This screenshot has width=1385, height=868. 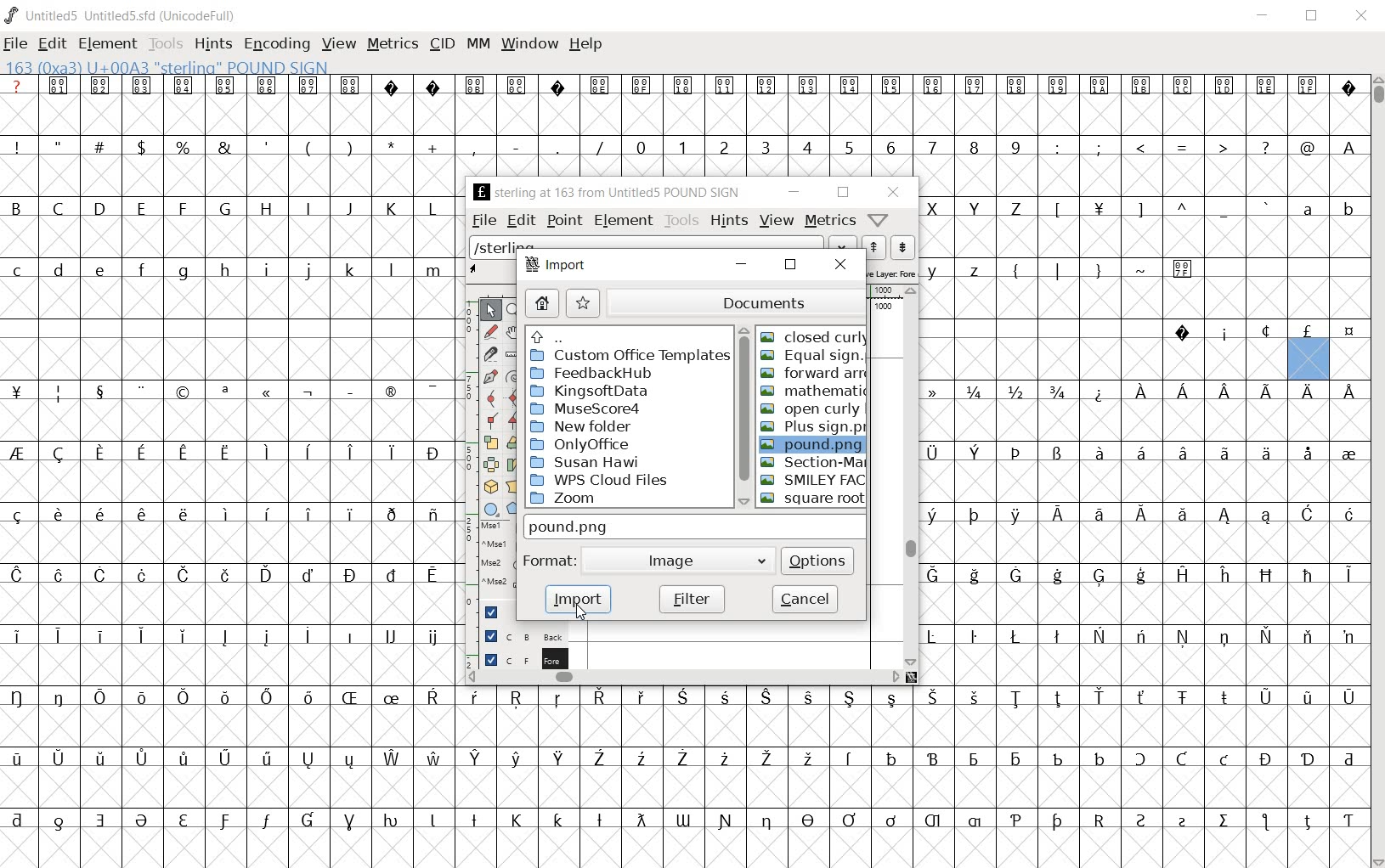 I want to click on Symbol, so click(x=1099, y=578).